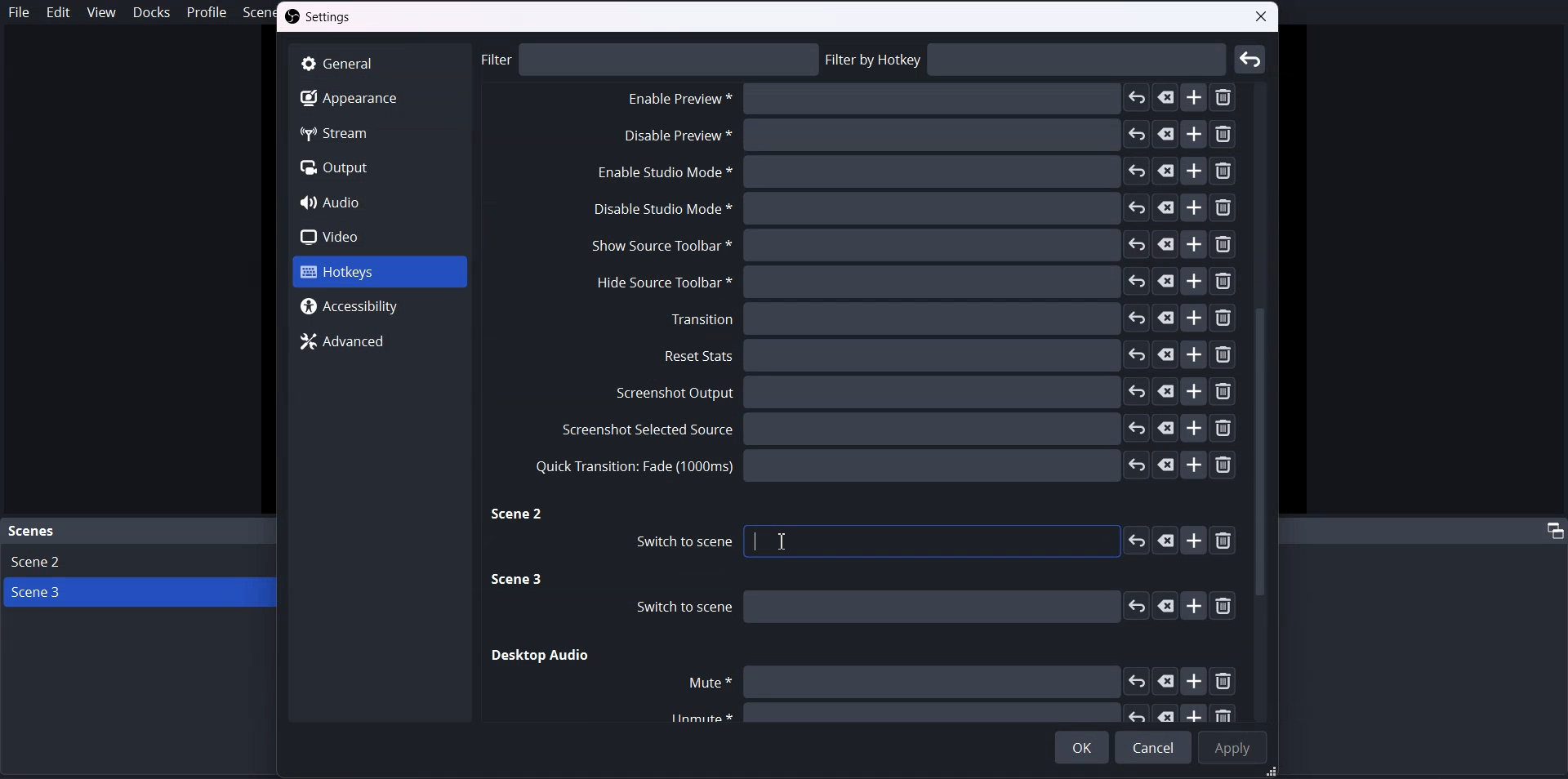 The image size is (1568, 779). Describe the element at coordinates (519, 581) in the screenshot. I see `Scene three` at that location.